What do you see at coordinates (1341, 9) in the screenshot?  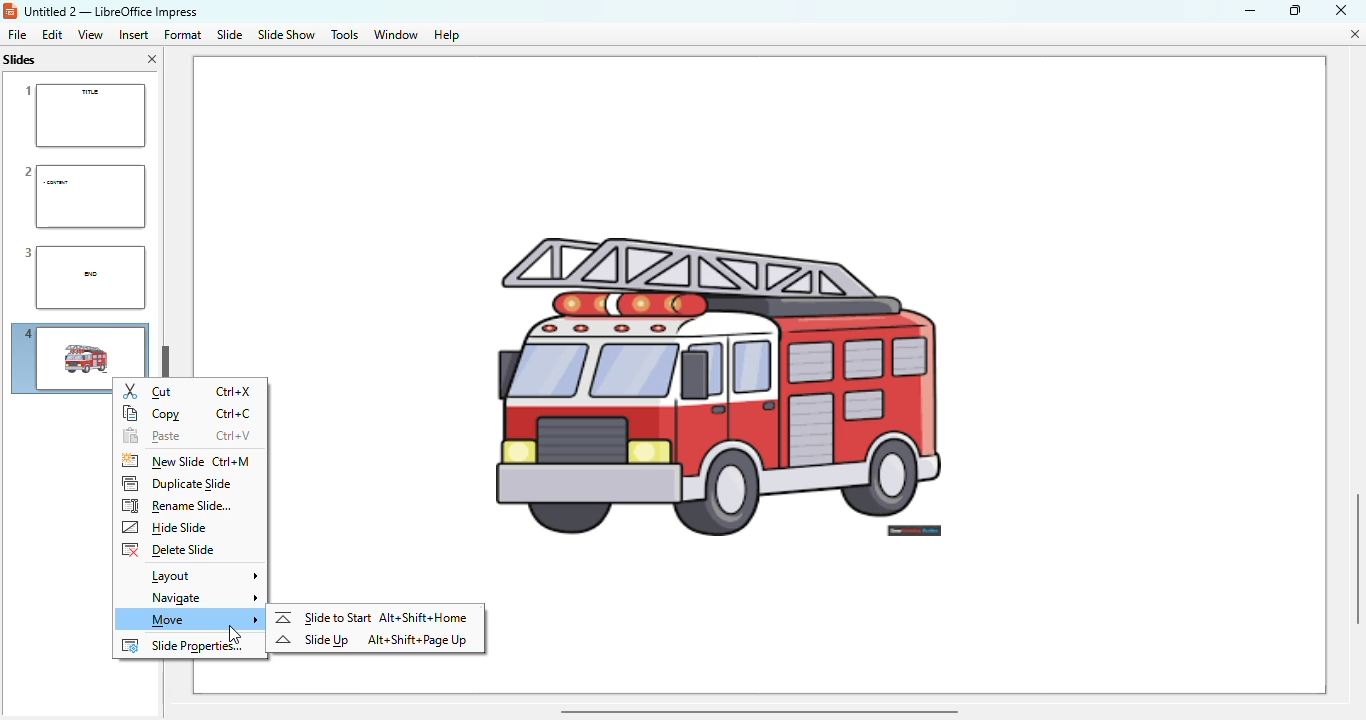 I see `close` at bounding box center [1341, 9].